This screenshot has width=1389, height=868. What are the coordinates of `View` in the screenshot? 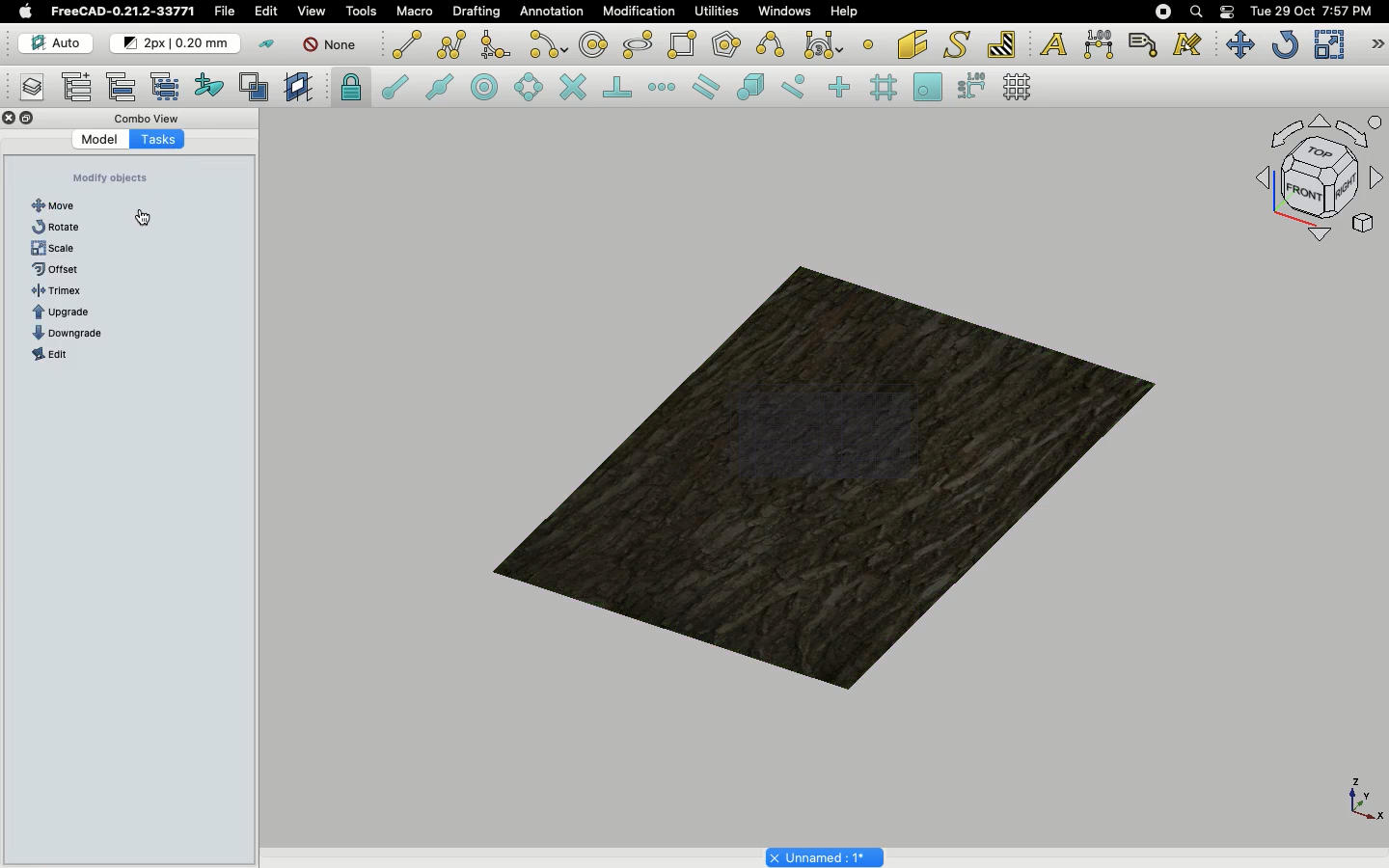 It's located at (312, 10).